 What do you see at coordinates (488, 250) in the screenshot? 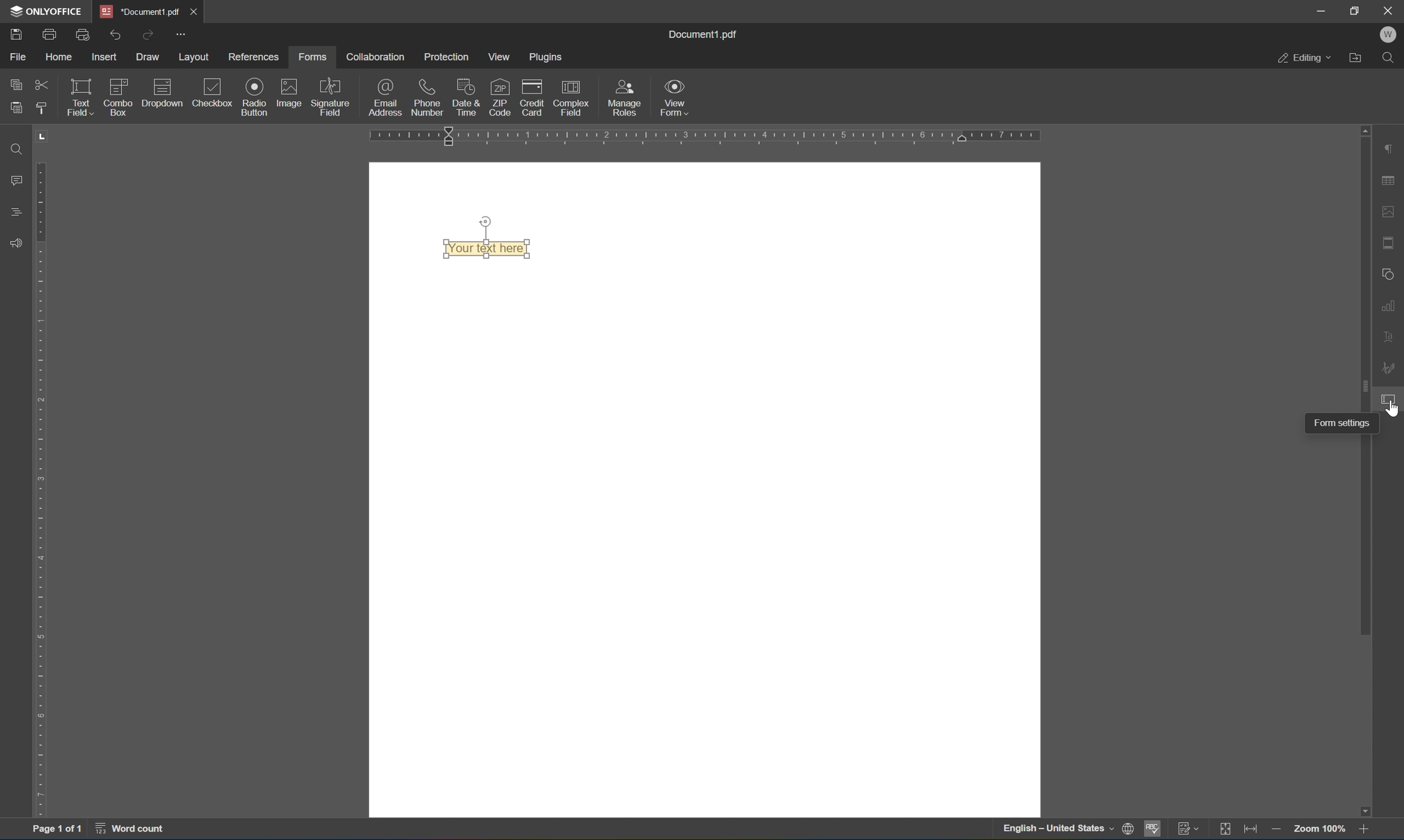
I see `your text here` at bounding box center [488, 250].